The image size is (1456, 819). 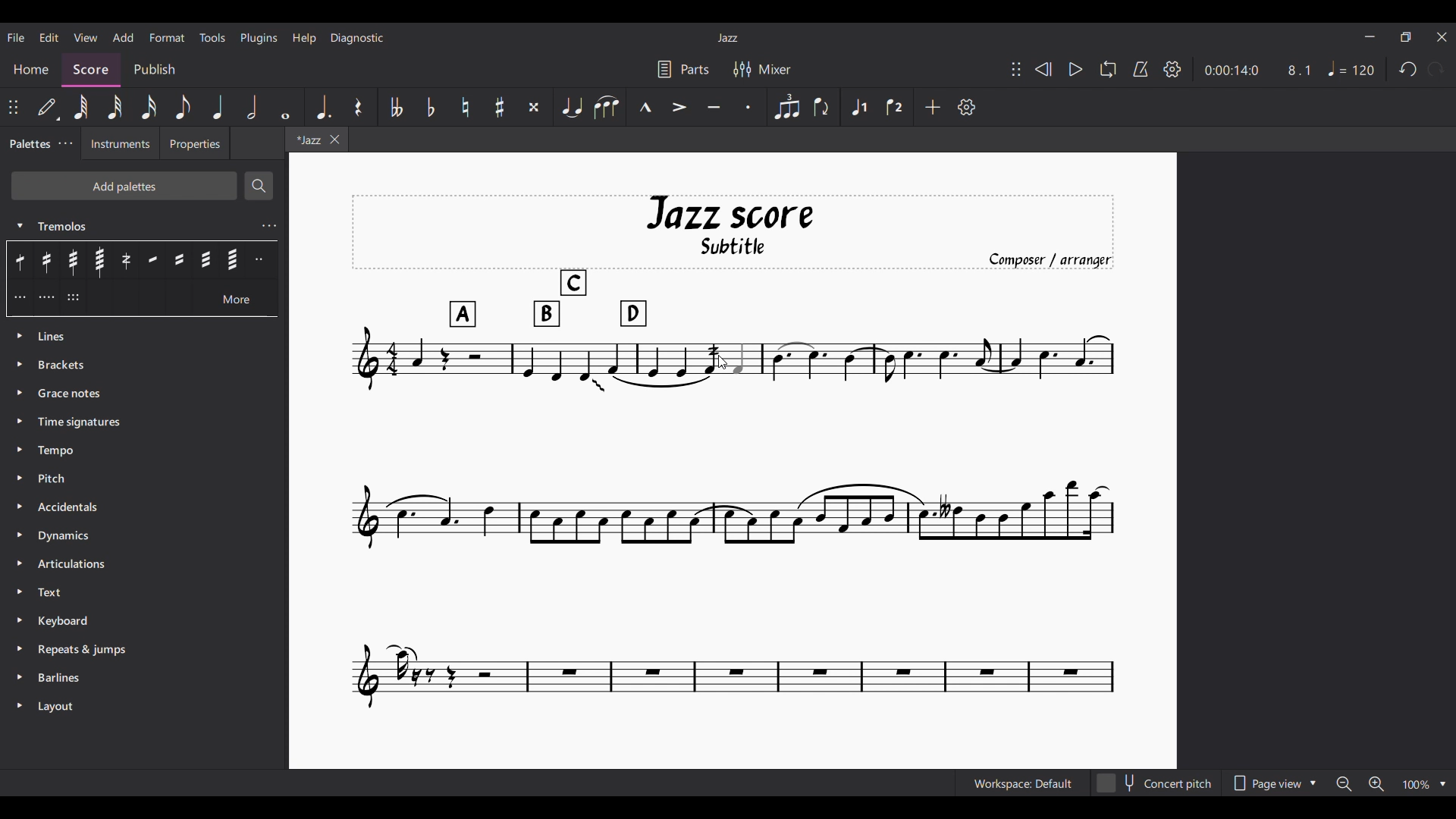 I want to click on Change position, so click(x=13, y=107).